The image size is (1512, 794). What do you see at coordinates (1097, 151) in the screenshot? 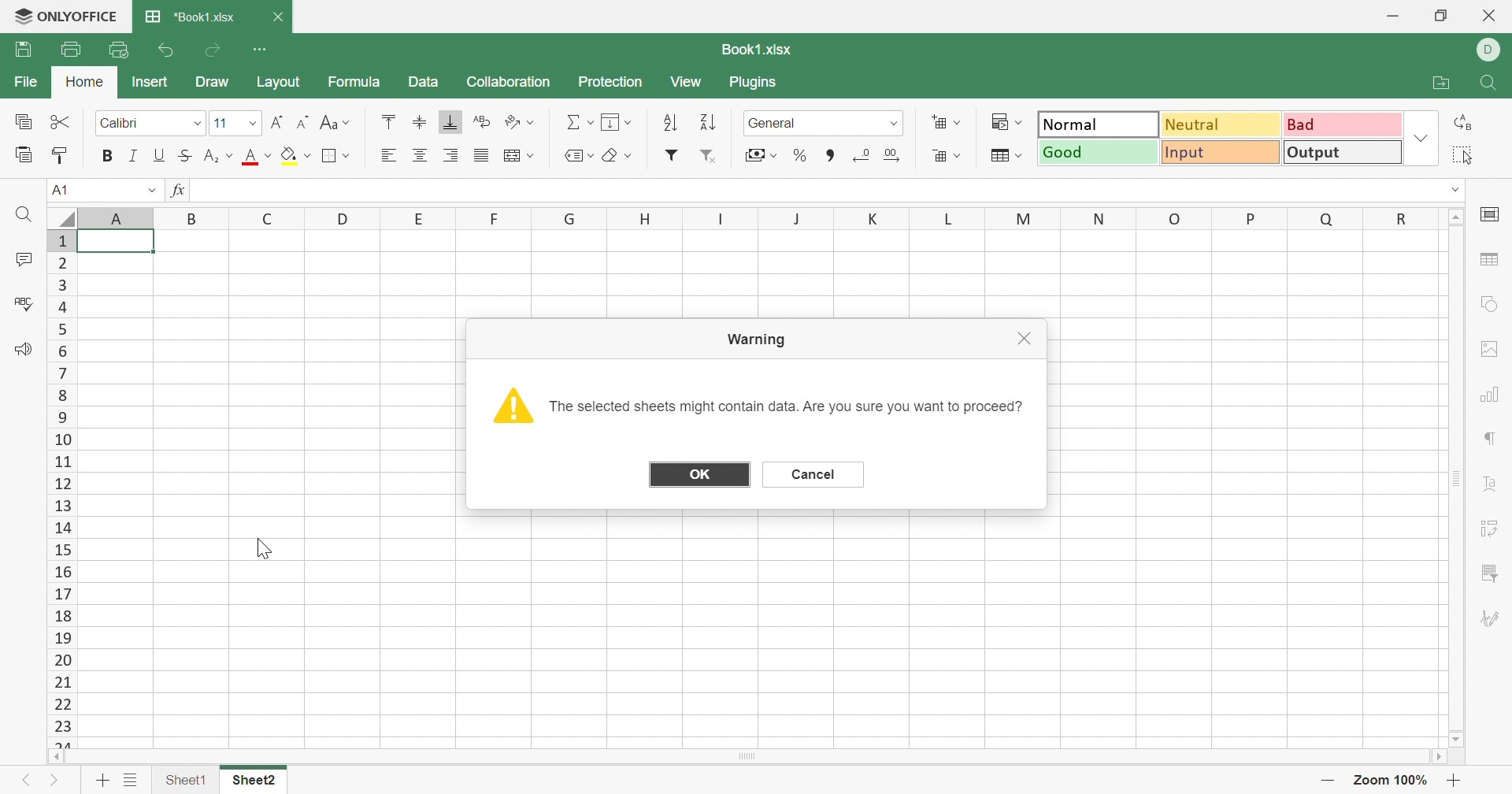
I see `Good` at bounding box center [1097, 151].